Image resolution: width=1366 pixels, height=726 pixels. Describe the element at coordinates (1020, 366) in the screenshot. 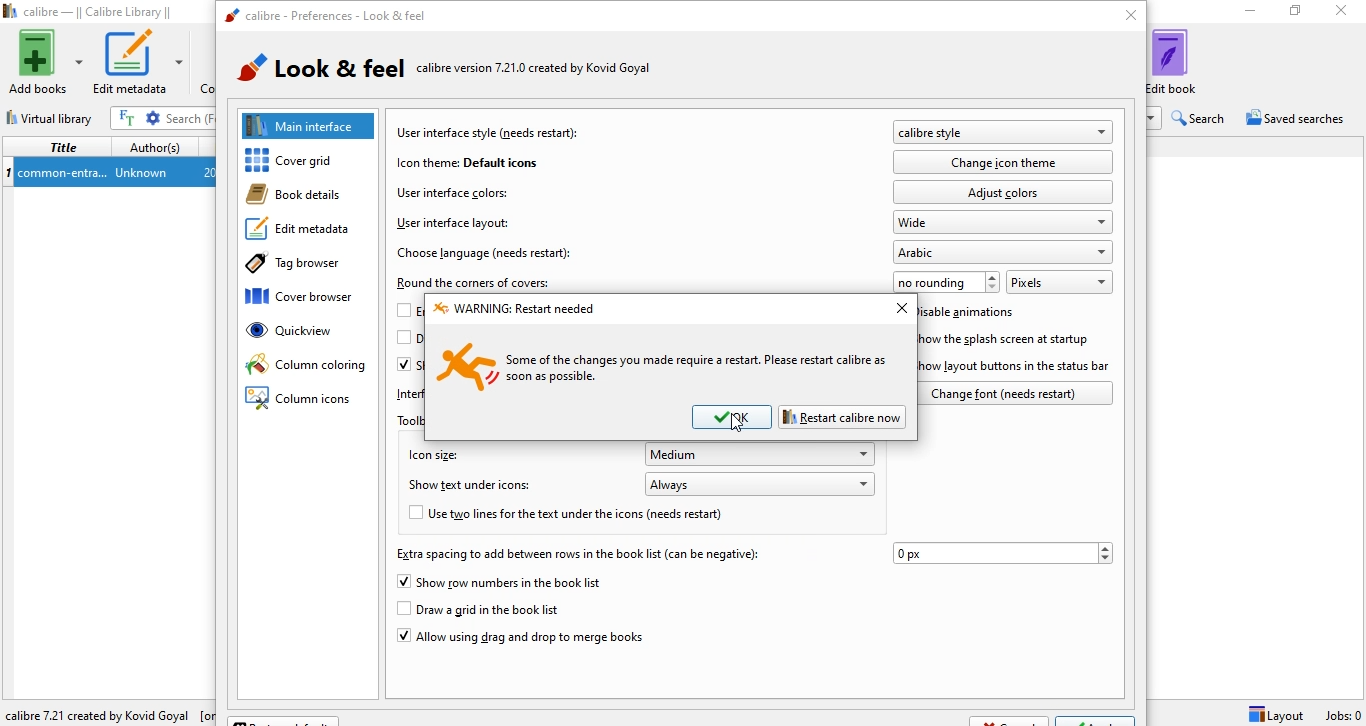

I see `show layout buttons in the status bar` at that location.